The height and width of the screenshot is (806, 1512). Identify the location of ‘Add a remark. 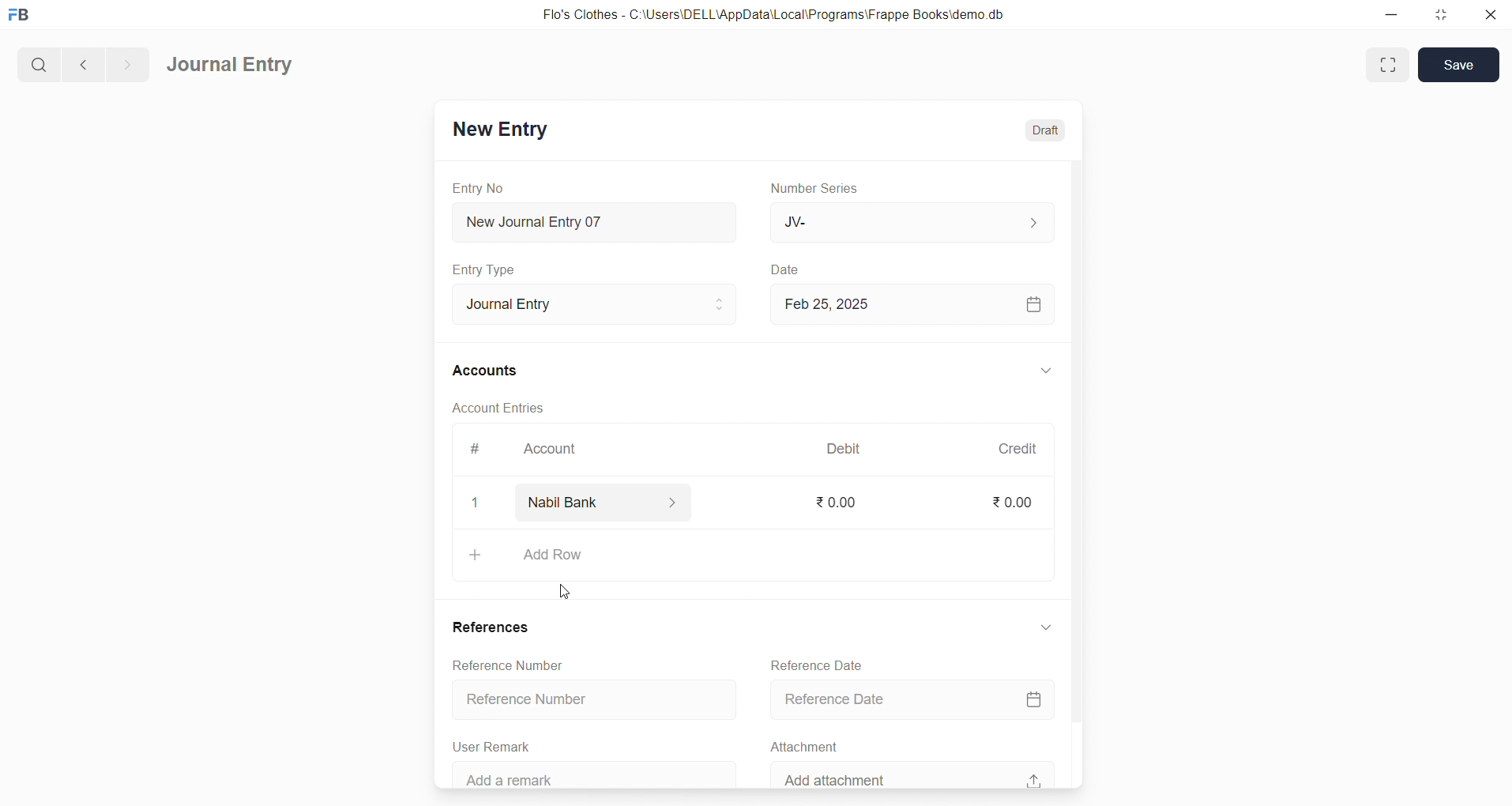
(598, 773).